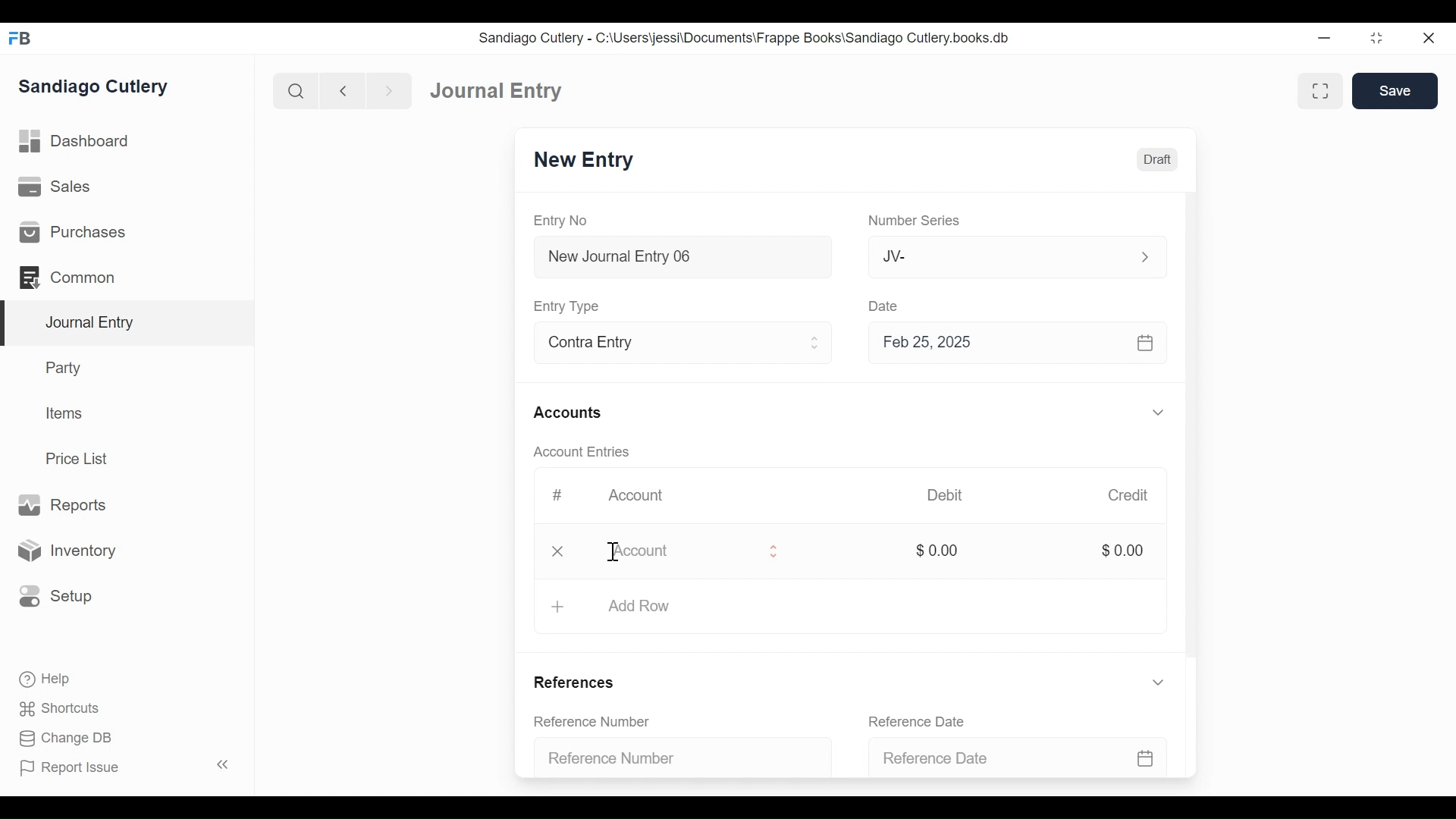 The height and width of the screenshot is (819, 1456). I want to click on Navigate Forward, so click(390, 92).